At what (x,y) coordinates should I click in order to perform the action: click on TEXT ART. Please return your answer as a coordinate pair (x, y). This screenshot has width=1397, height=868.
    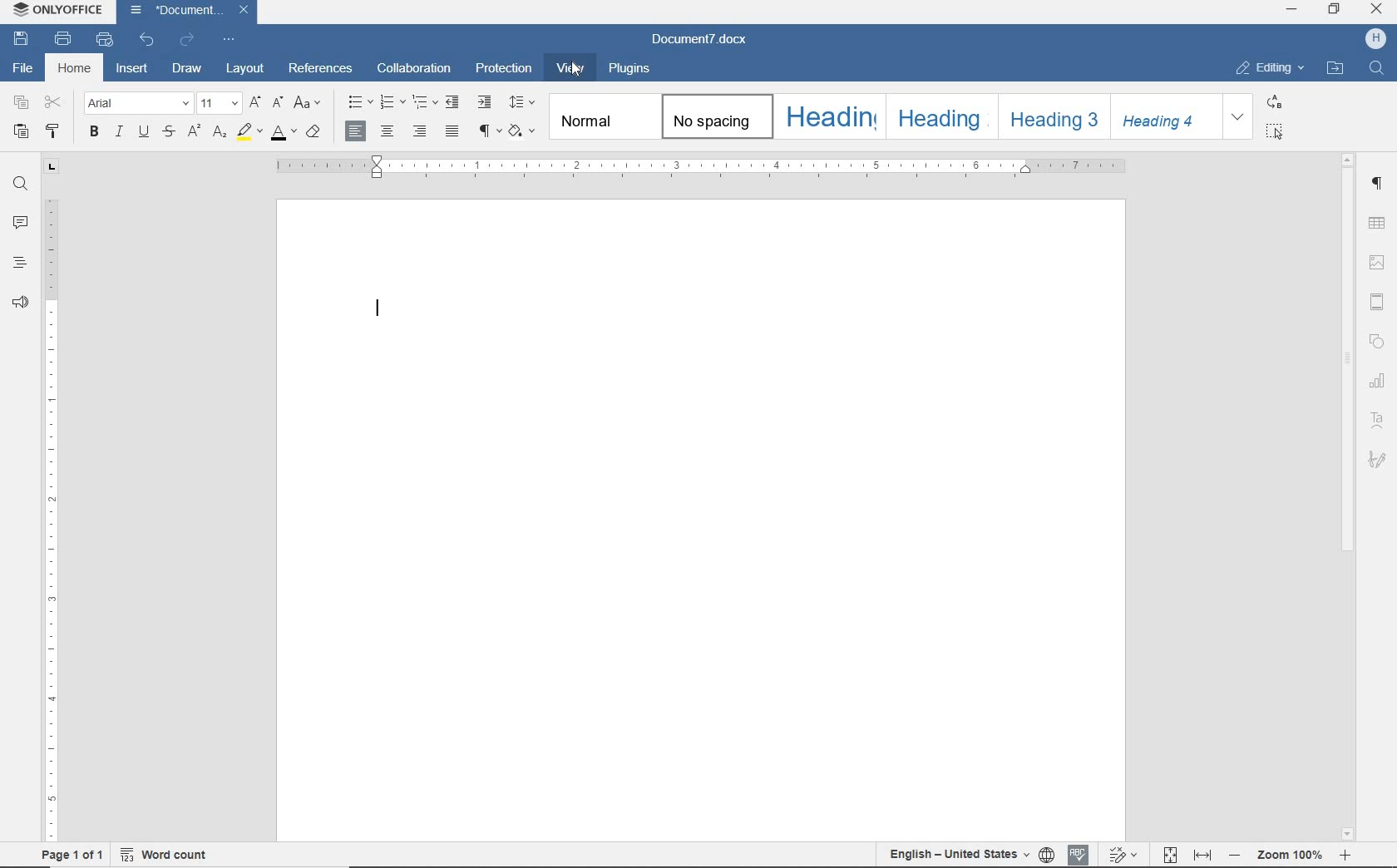
    Looking at the image, I should click on (1378, 421).